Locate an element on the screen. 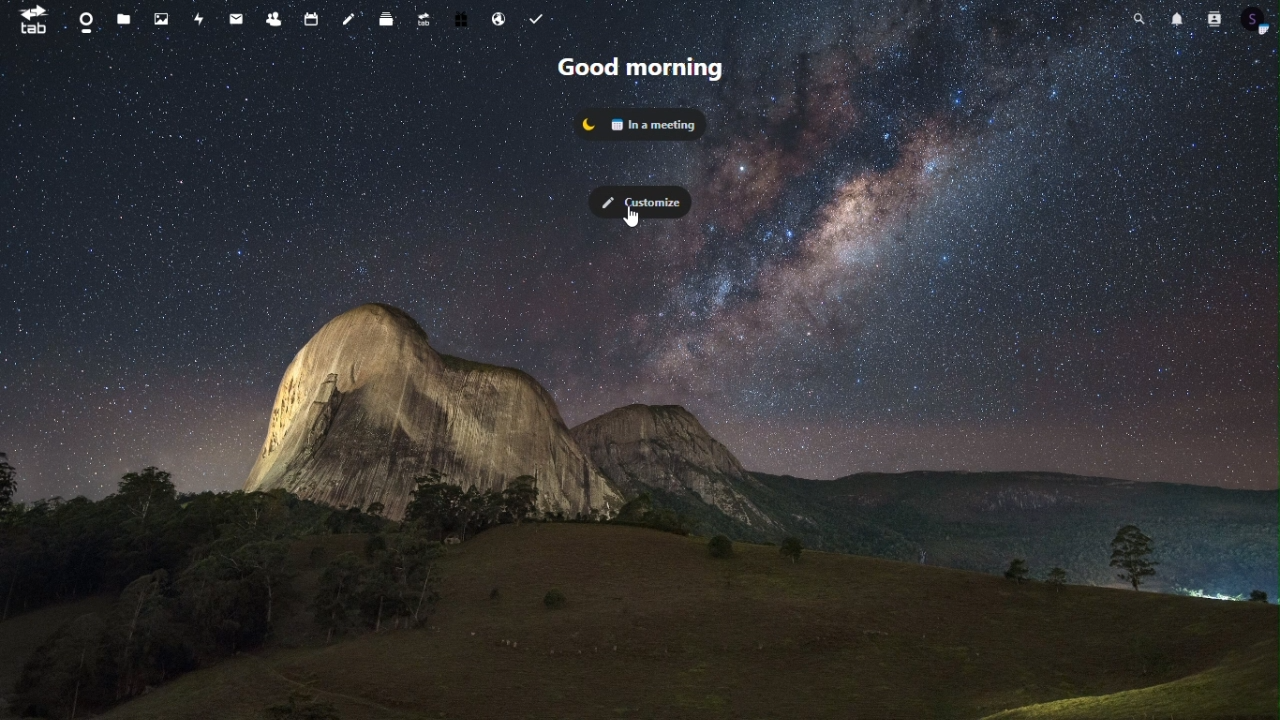  cursor is located at coordinates (631, 220).